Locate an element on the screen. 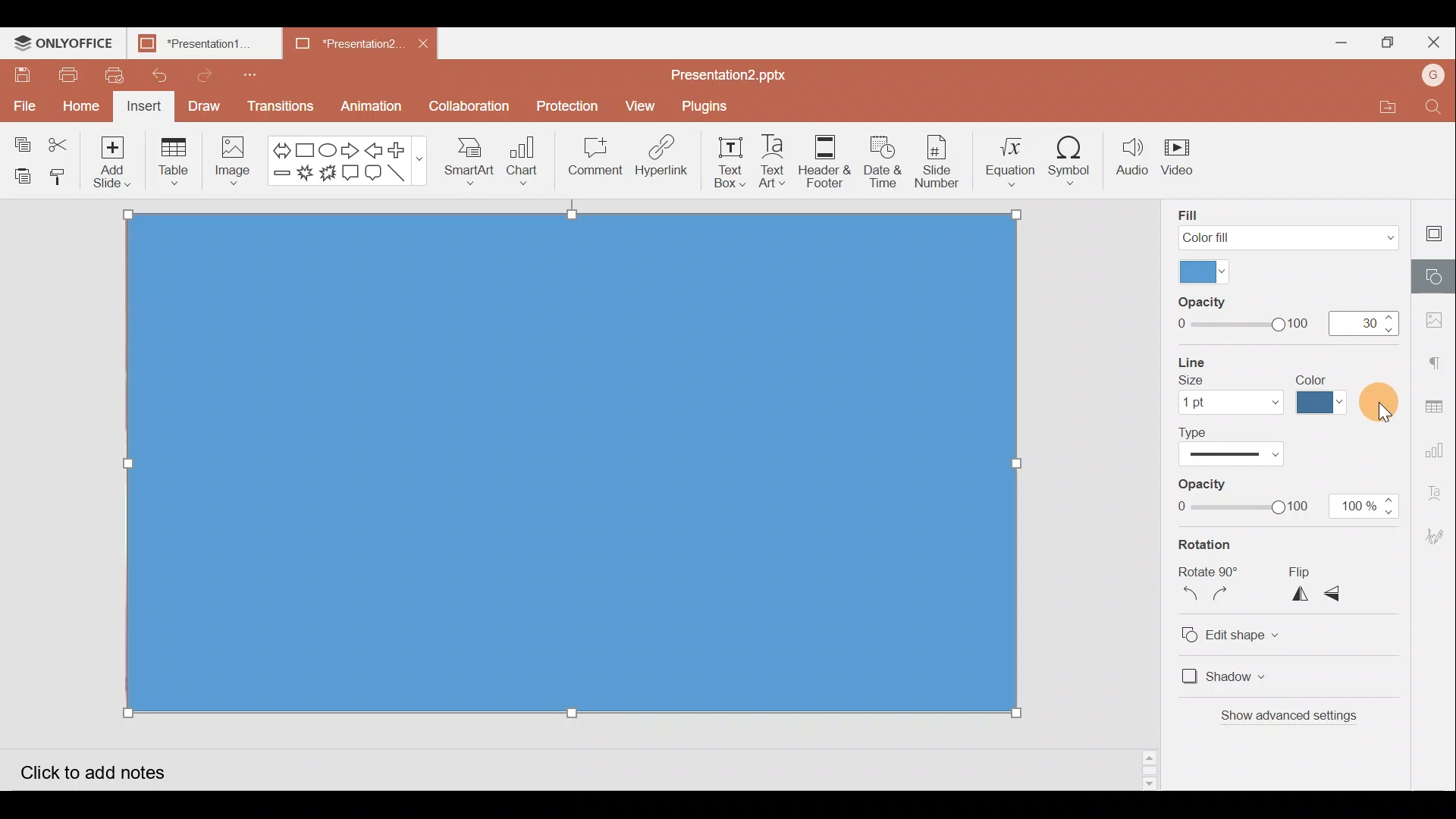  Quick print is located at coordinates (111, 73).